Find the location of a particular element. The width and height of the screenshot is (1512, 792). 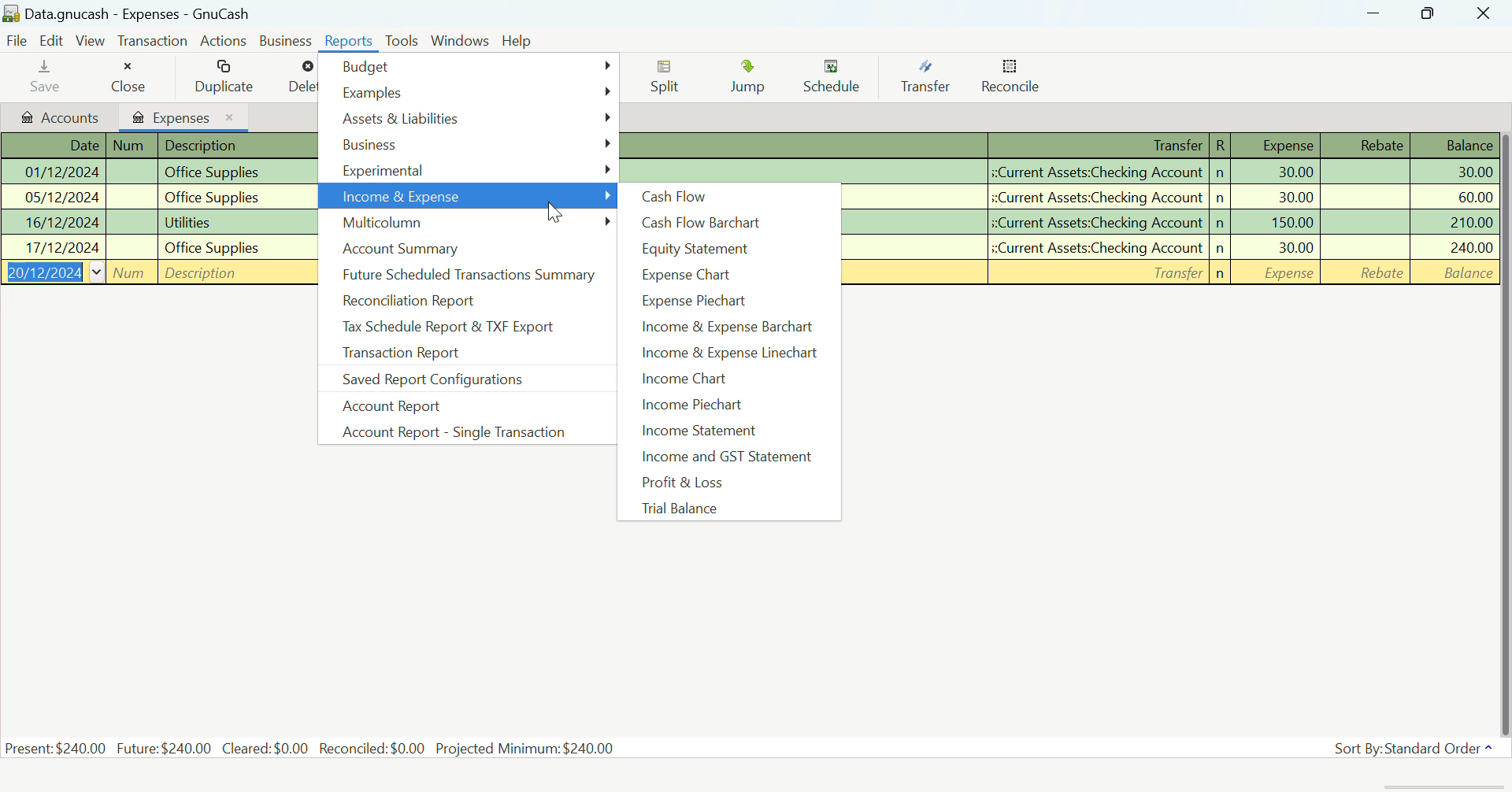

Saved Report Configurations is located at coordinates (465, 383).